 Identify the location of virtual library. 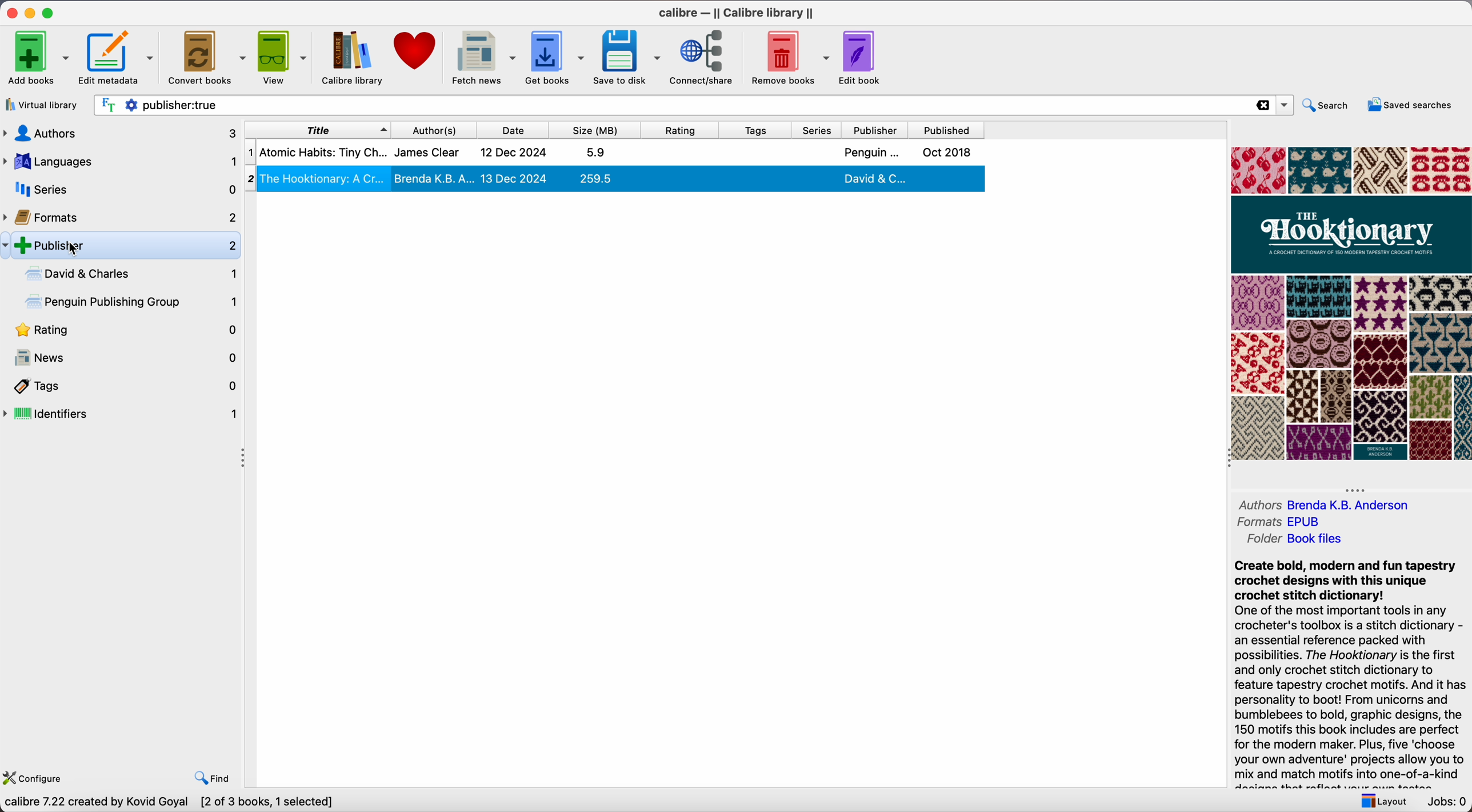
(44, 105).